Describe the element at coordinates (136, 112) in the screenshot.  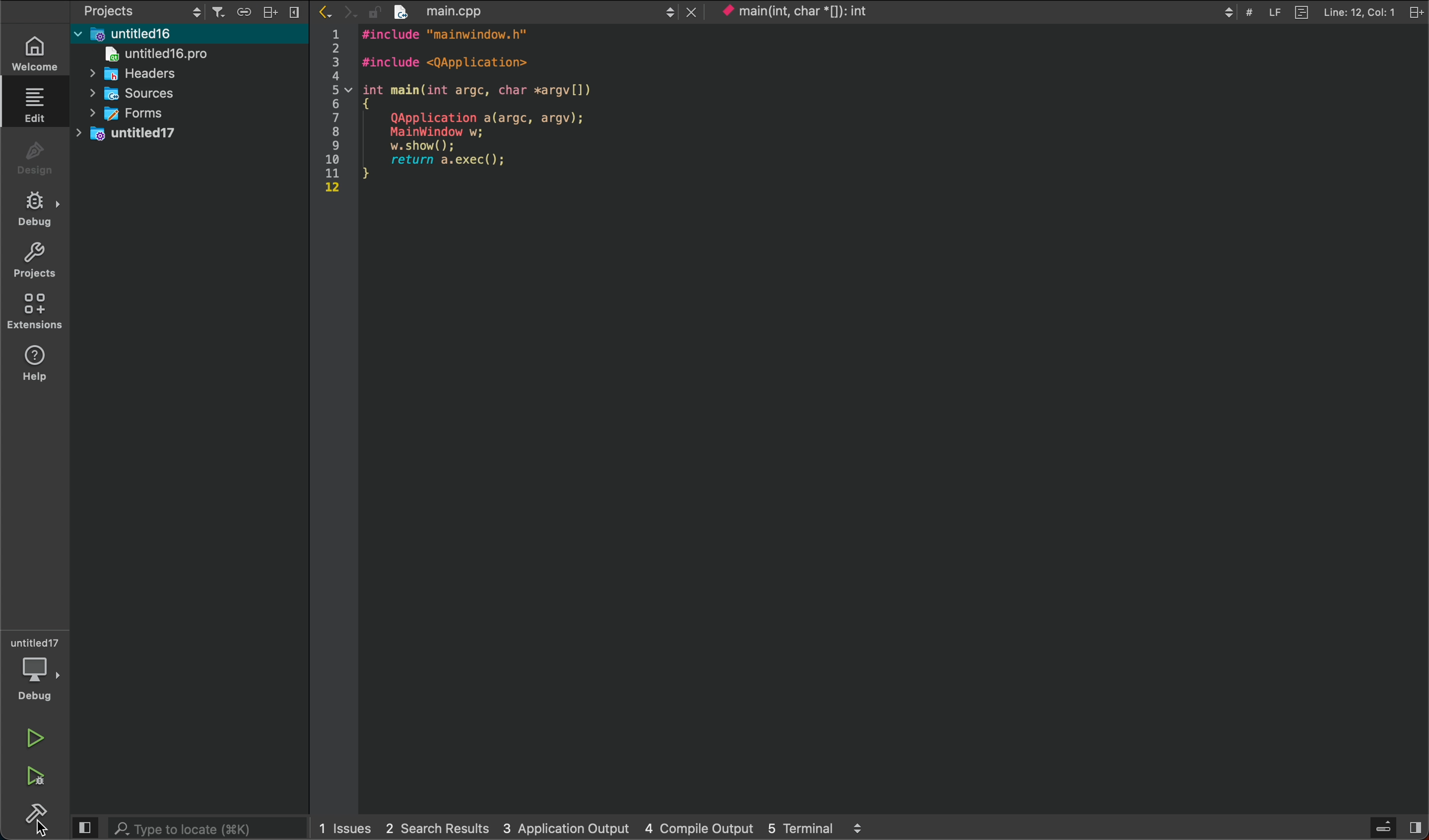
I see `forms` at that location.